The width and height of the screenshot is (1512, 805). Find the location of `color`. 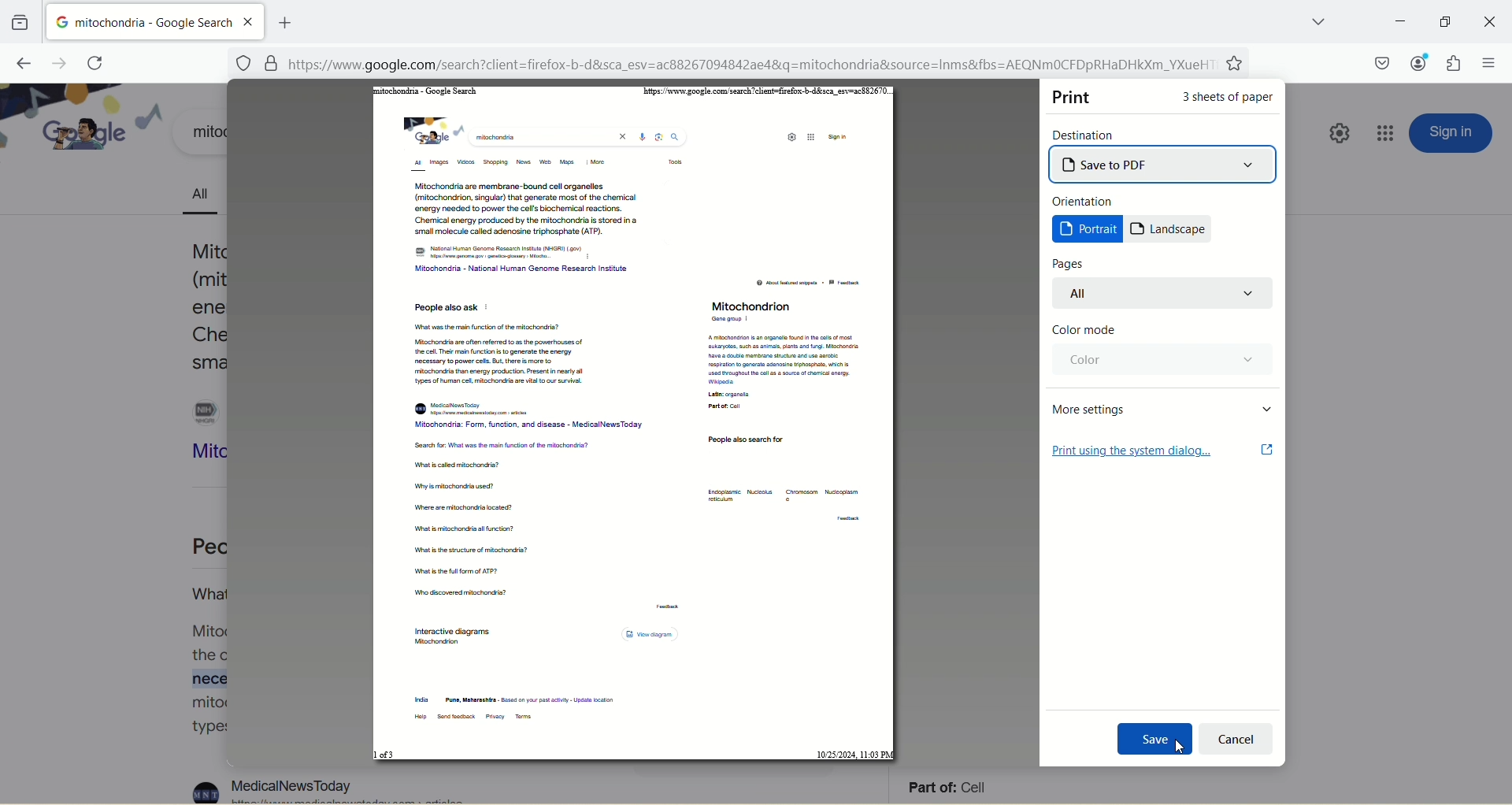

color is located at coordinates (1159, 359).